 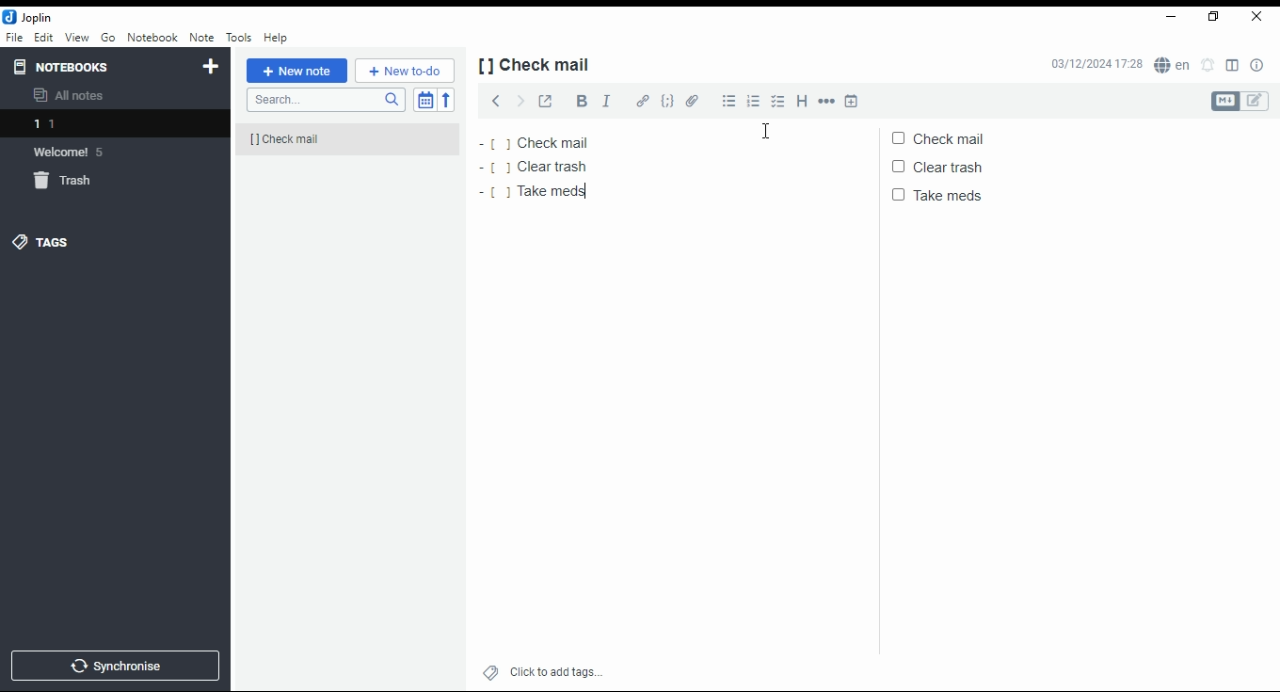 I want to click on restore, so click(x=1216, y=17).